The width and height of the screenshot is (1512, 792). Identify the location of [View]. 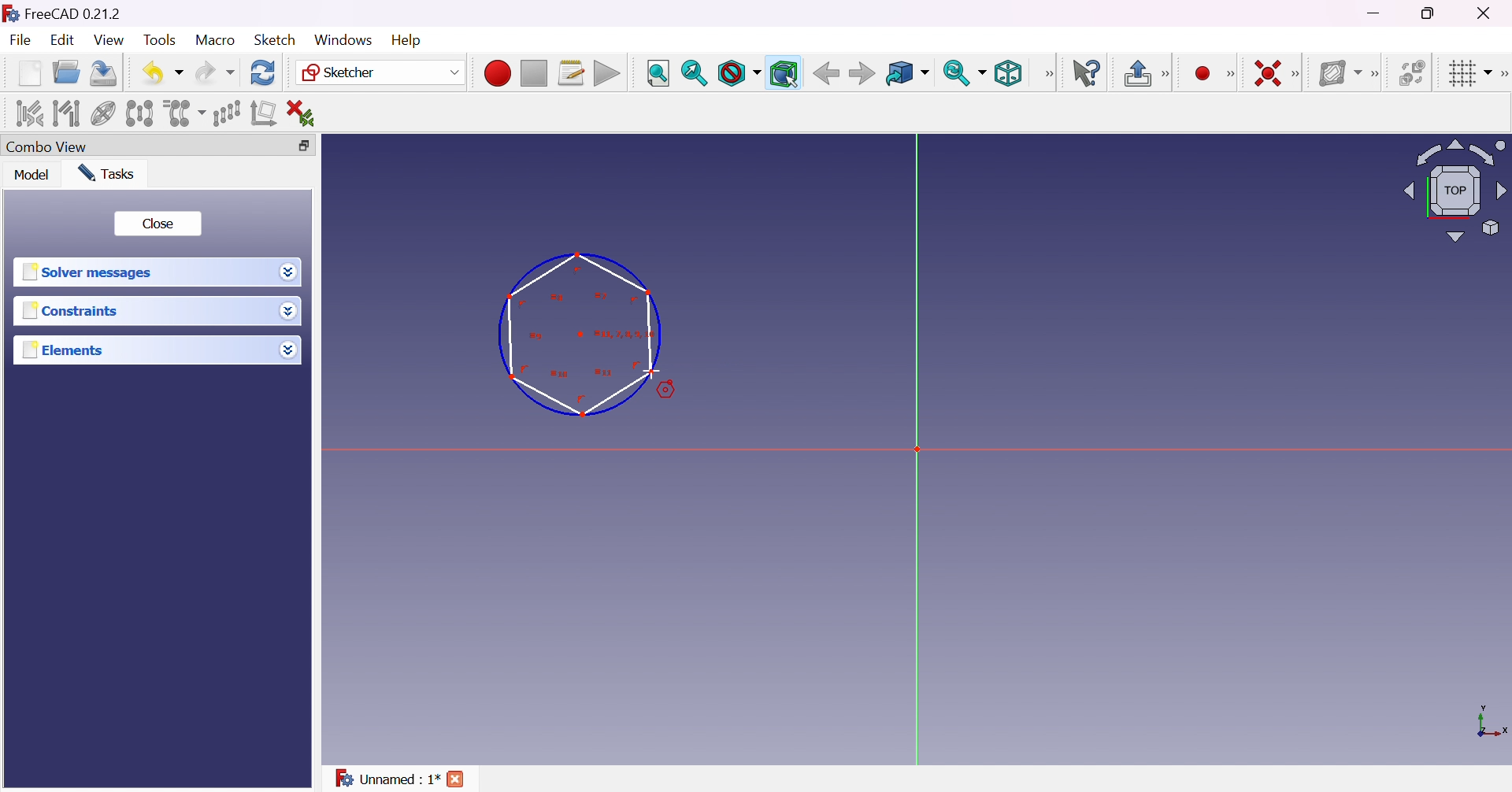
(1048, 74).